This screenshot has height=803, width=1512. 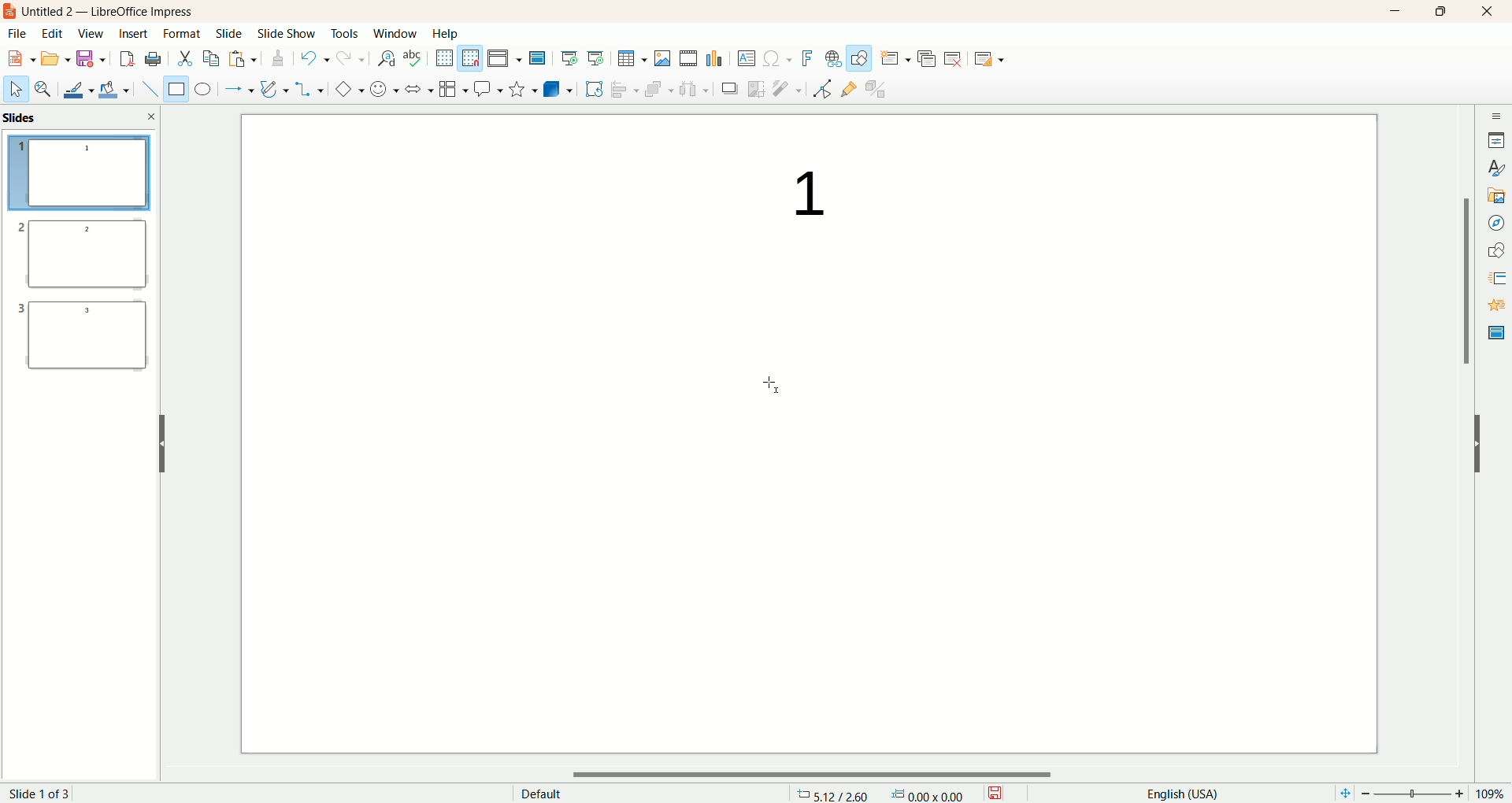 I want to click on slide 2, so click(x=79, y=258).